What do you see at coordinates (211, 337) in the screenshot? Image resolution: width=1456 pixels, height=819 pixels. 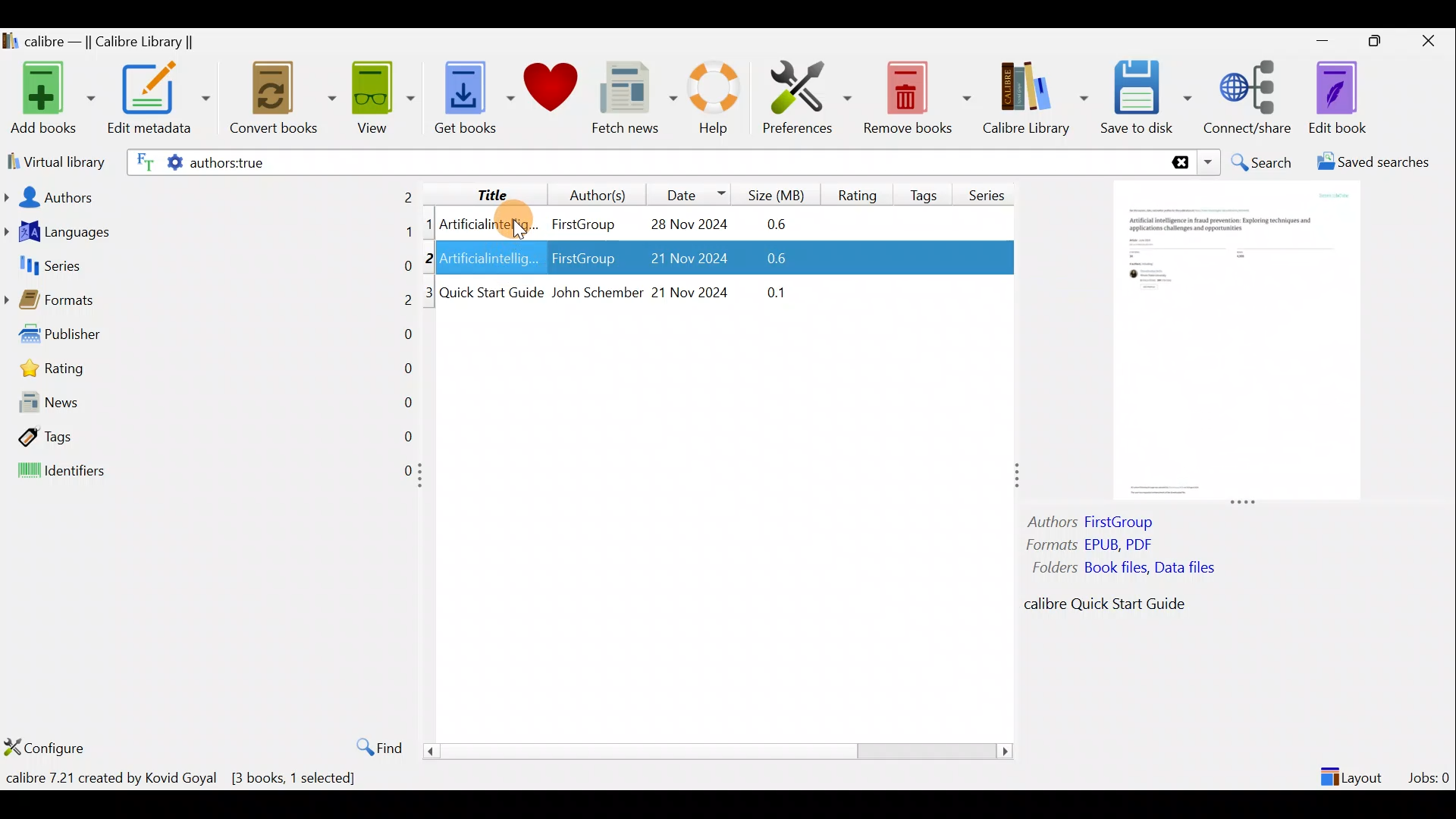 I see `Publisher` at bounding box center [211, 337].